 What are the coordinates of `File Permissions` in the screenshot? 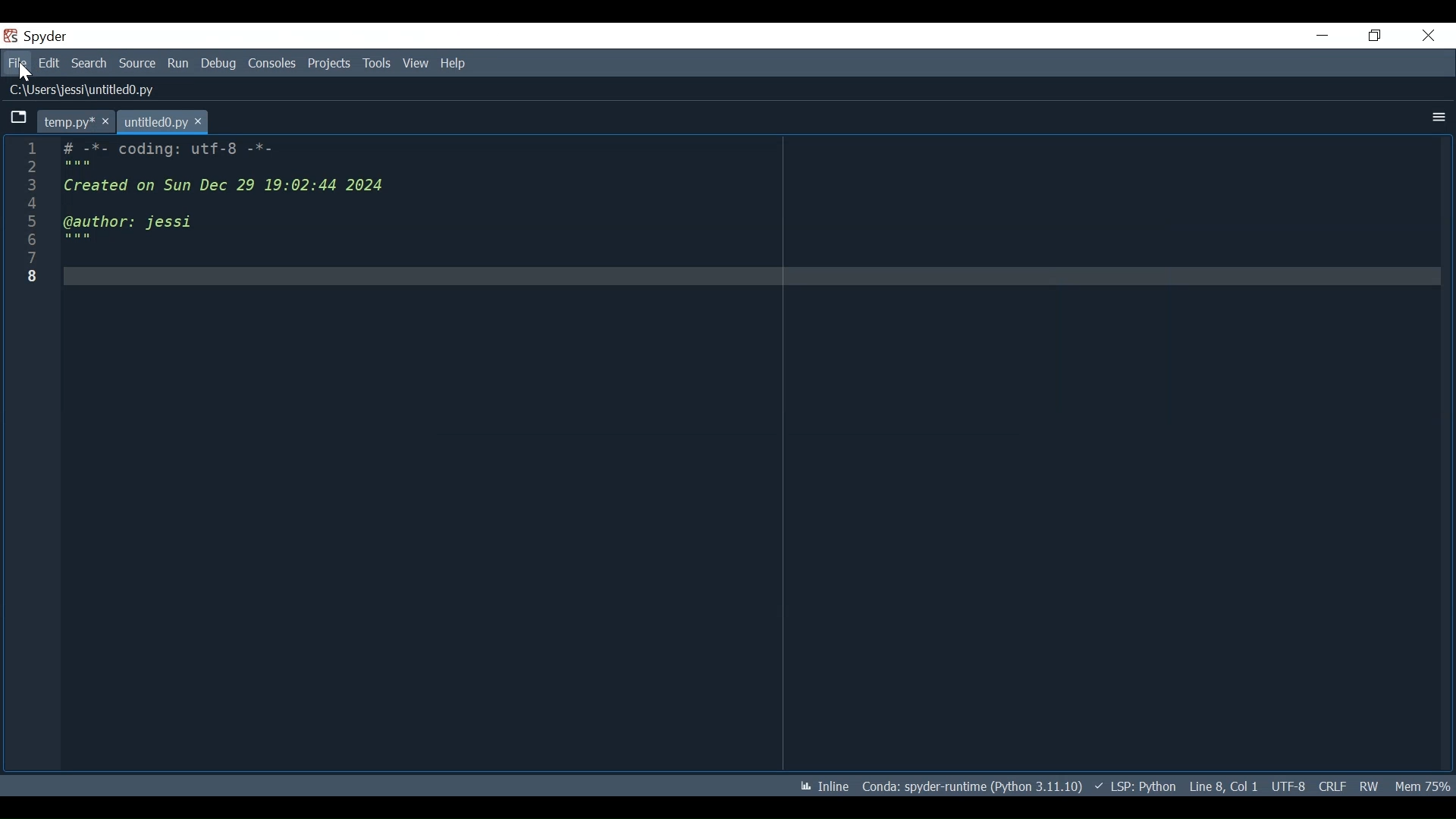 It's located at (1368, 786).